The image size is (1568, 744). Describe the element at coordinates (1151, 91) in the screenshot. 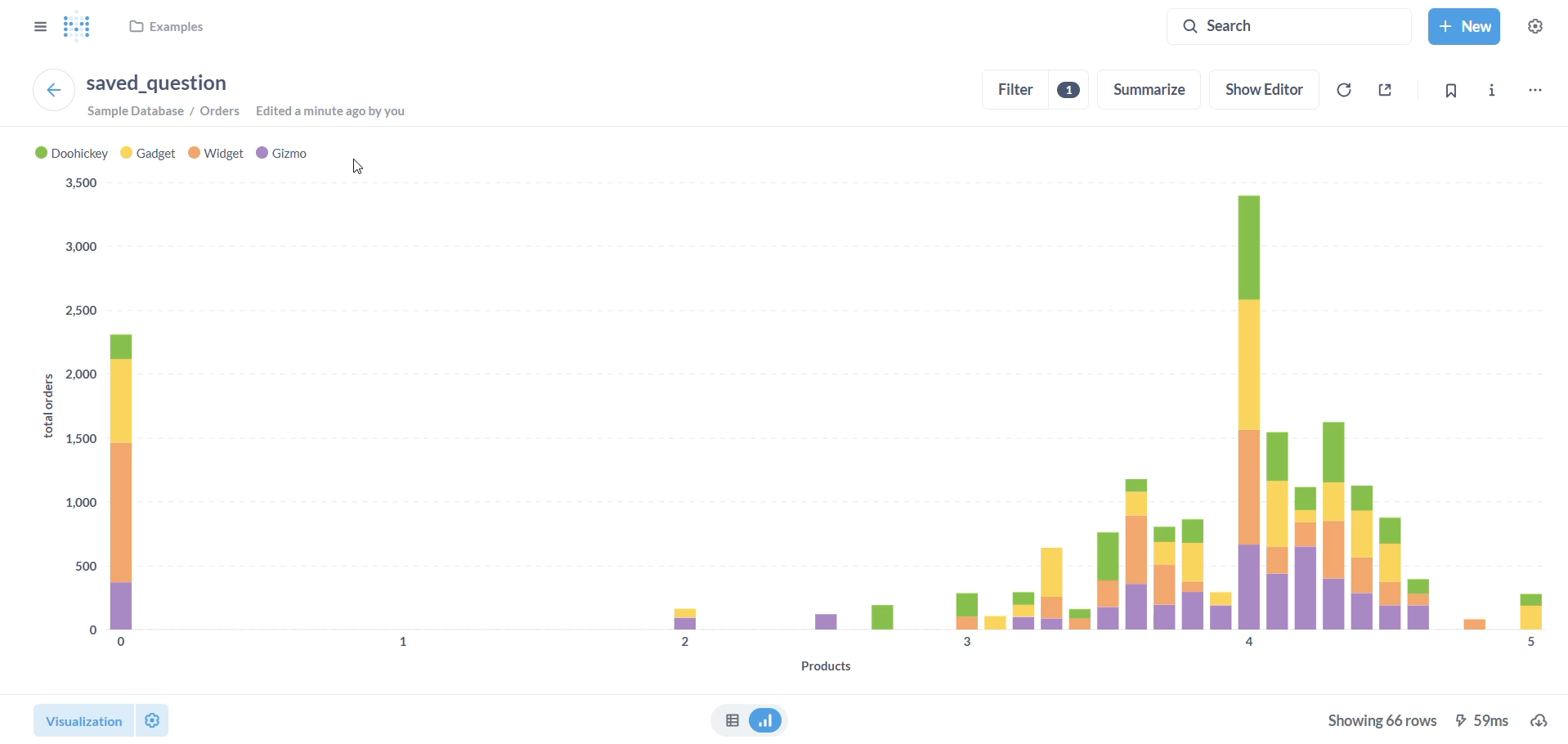

I see `summarize` at that location.